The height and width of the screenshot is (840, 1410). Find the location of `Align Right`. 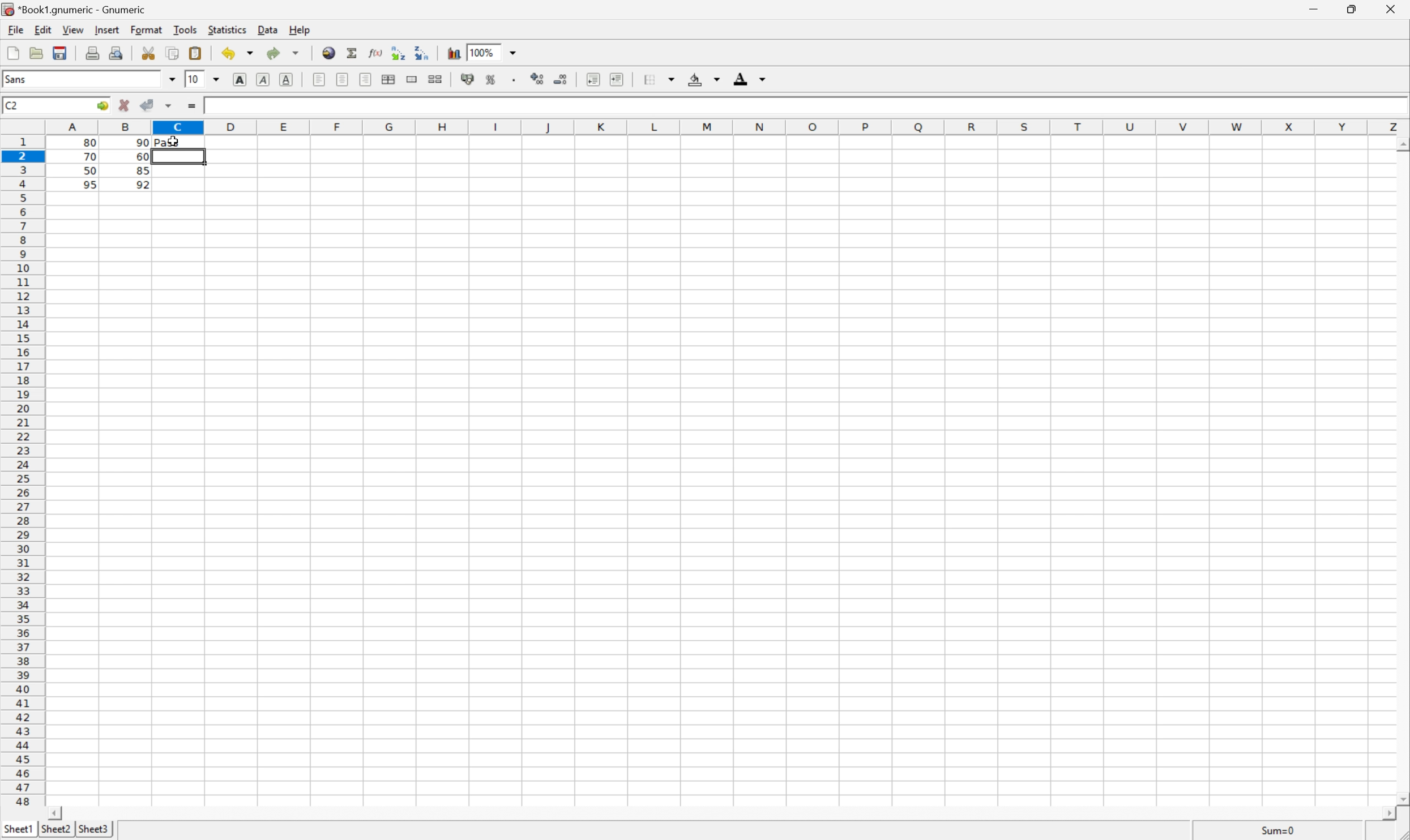

Align Right is located at coordinates (318, 80).